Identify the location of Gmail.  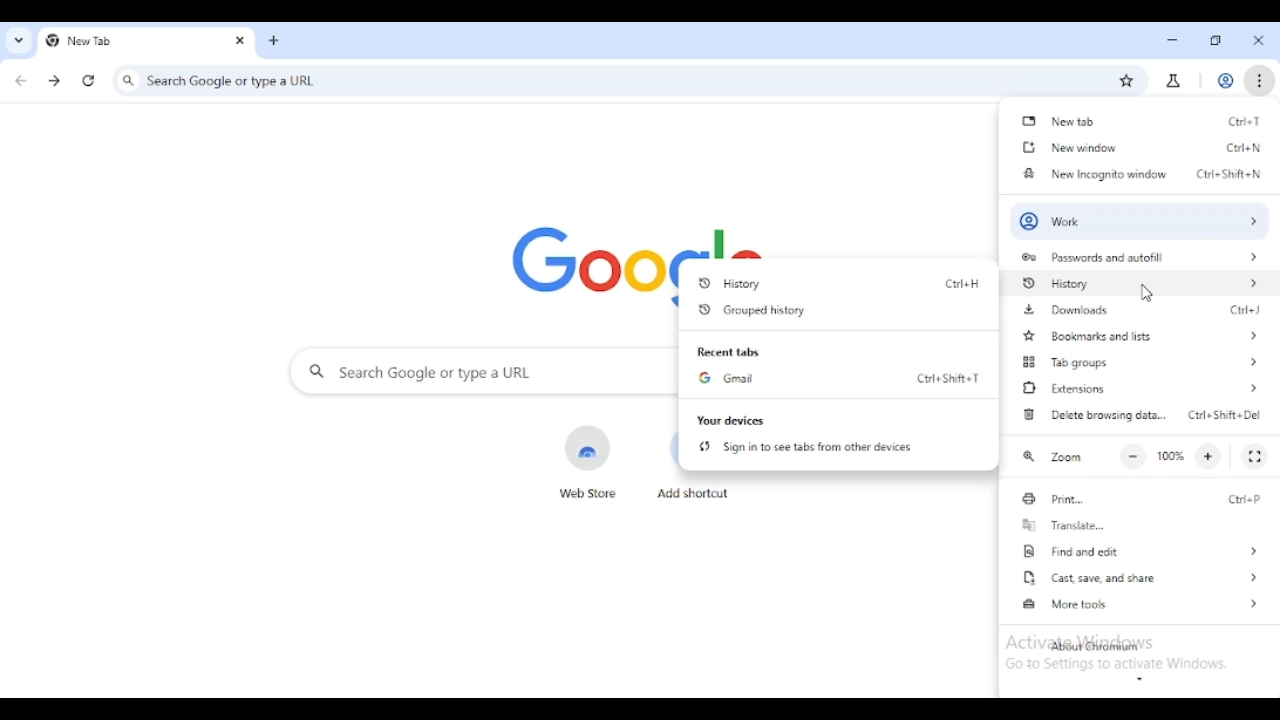
(726, 379).